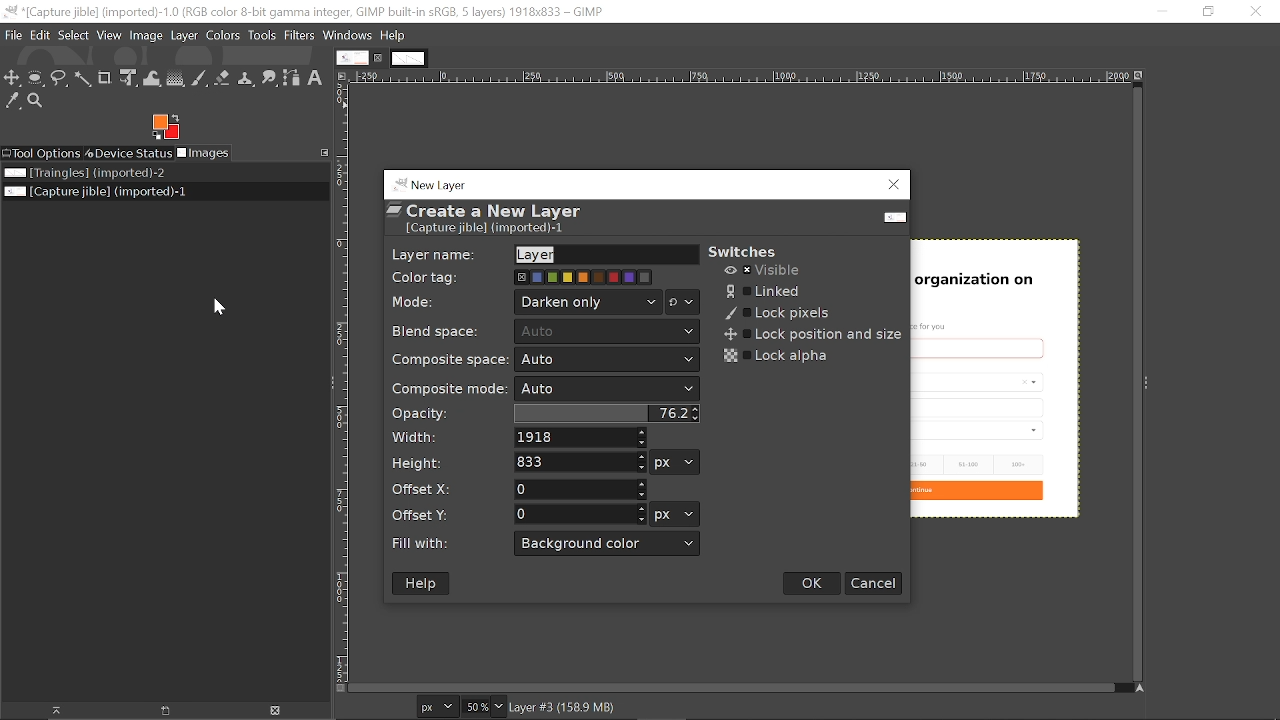  I want to click on Mode, so click(589, 302).